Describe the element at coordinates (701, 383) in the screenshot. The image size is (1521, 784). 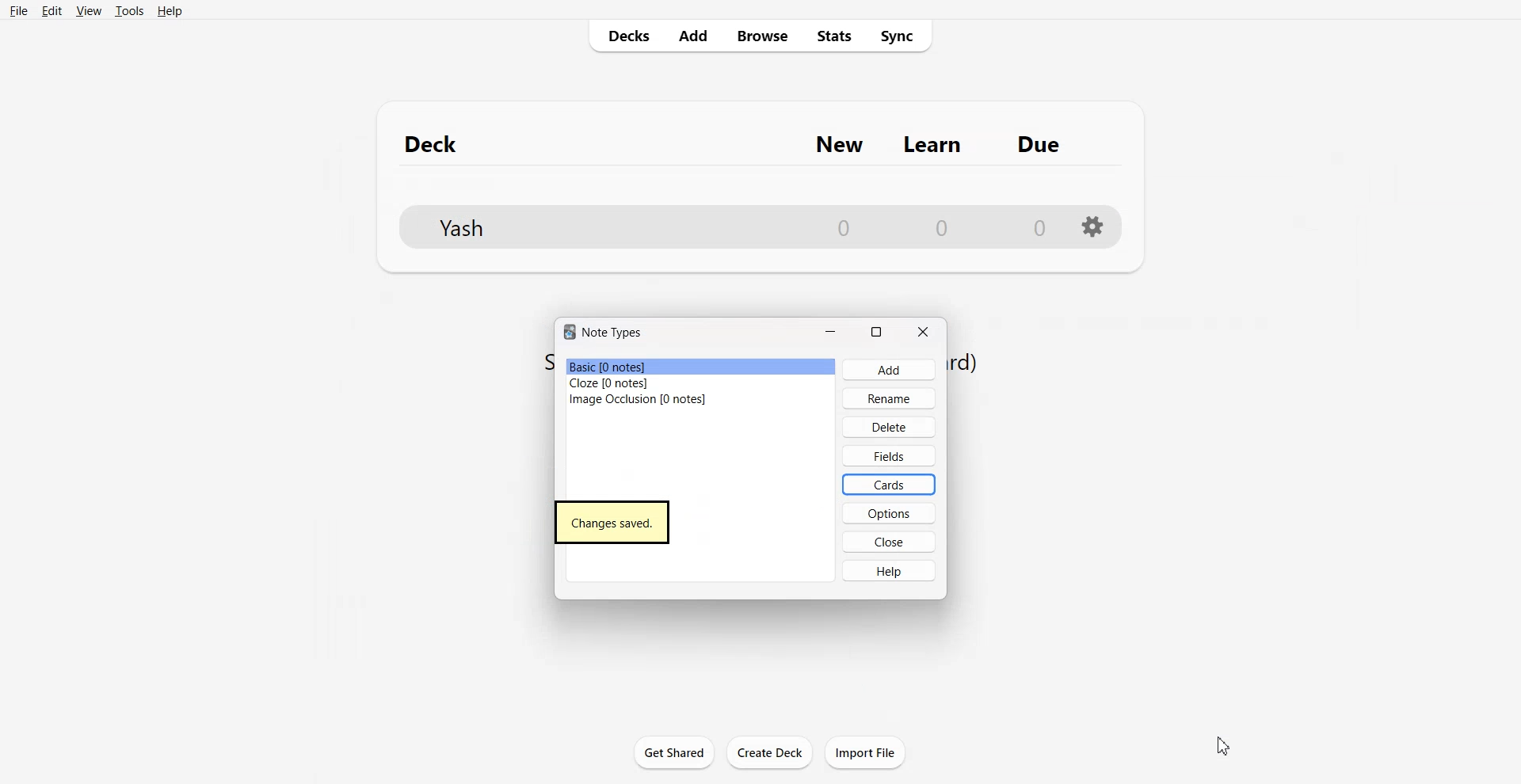
I see `Cloze` at that location.